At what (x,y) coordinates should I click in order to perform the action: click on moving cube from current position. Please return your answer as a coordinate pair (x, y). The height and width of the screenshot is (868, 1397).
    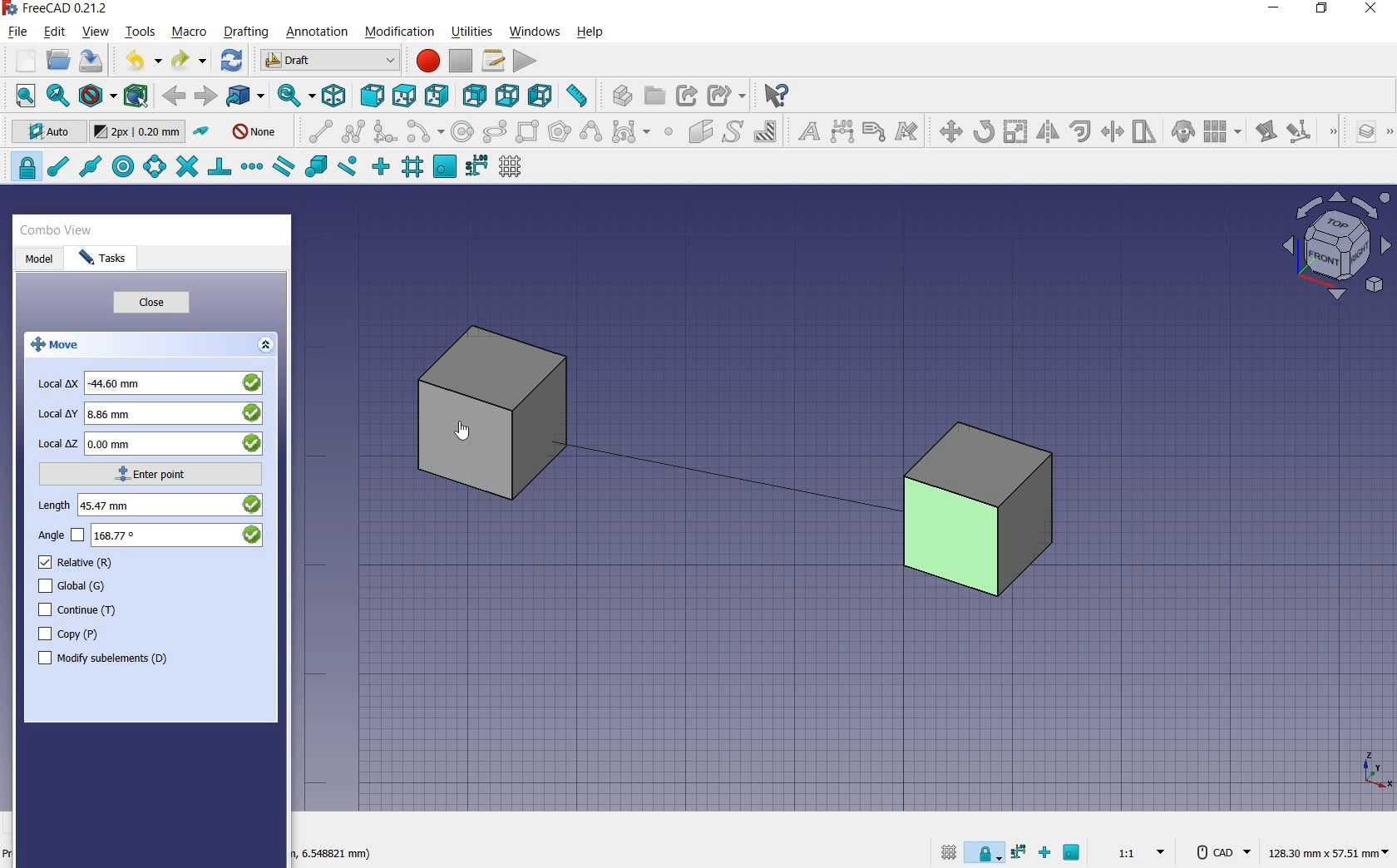
    Looking at the image, I should click on (735, 461).